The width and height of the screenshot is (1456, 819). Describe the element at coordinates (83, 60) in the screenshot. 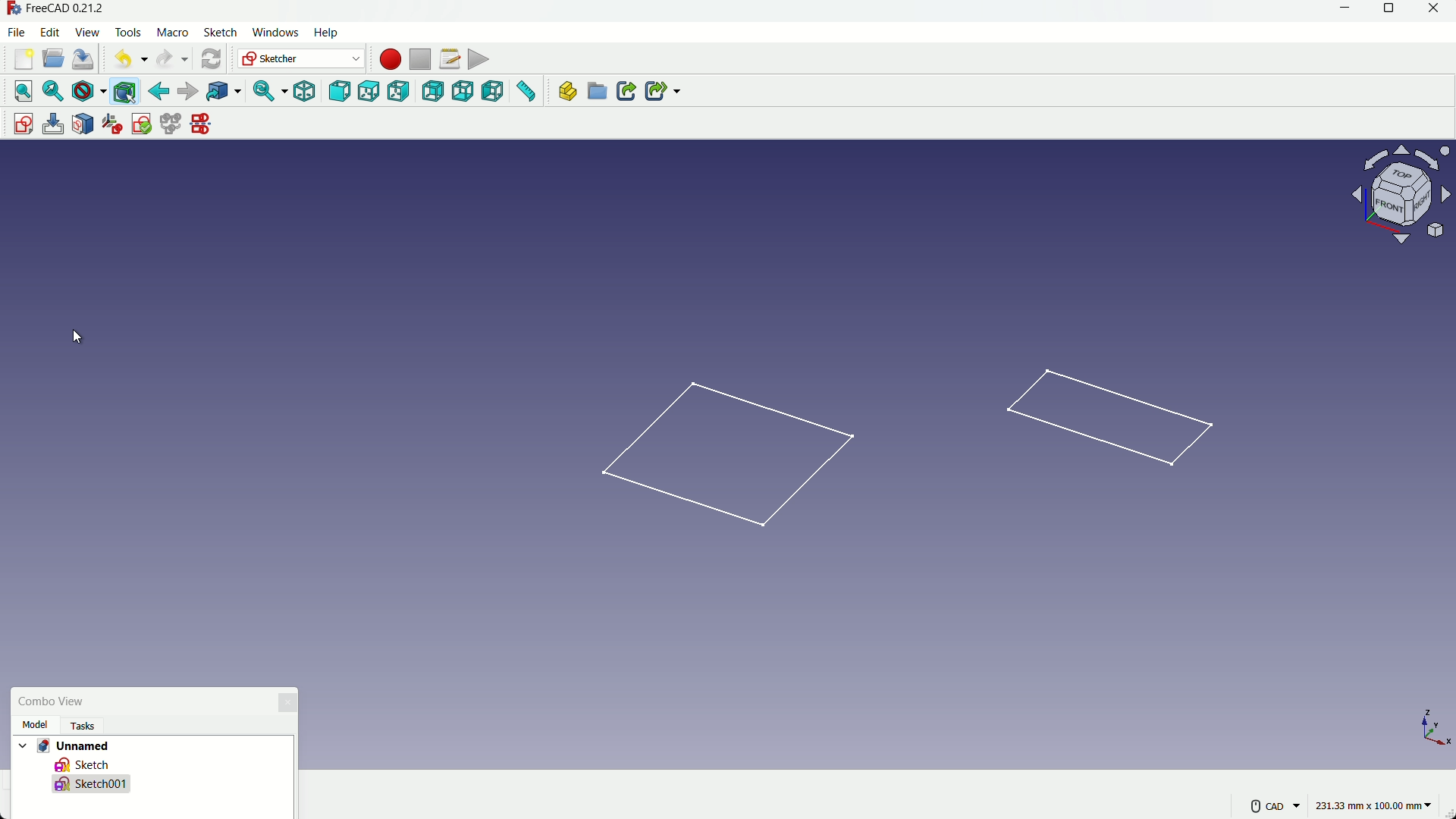

I see `save file` at that location.